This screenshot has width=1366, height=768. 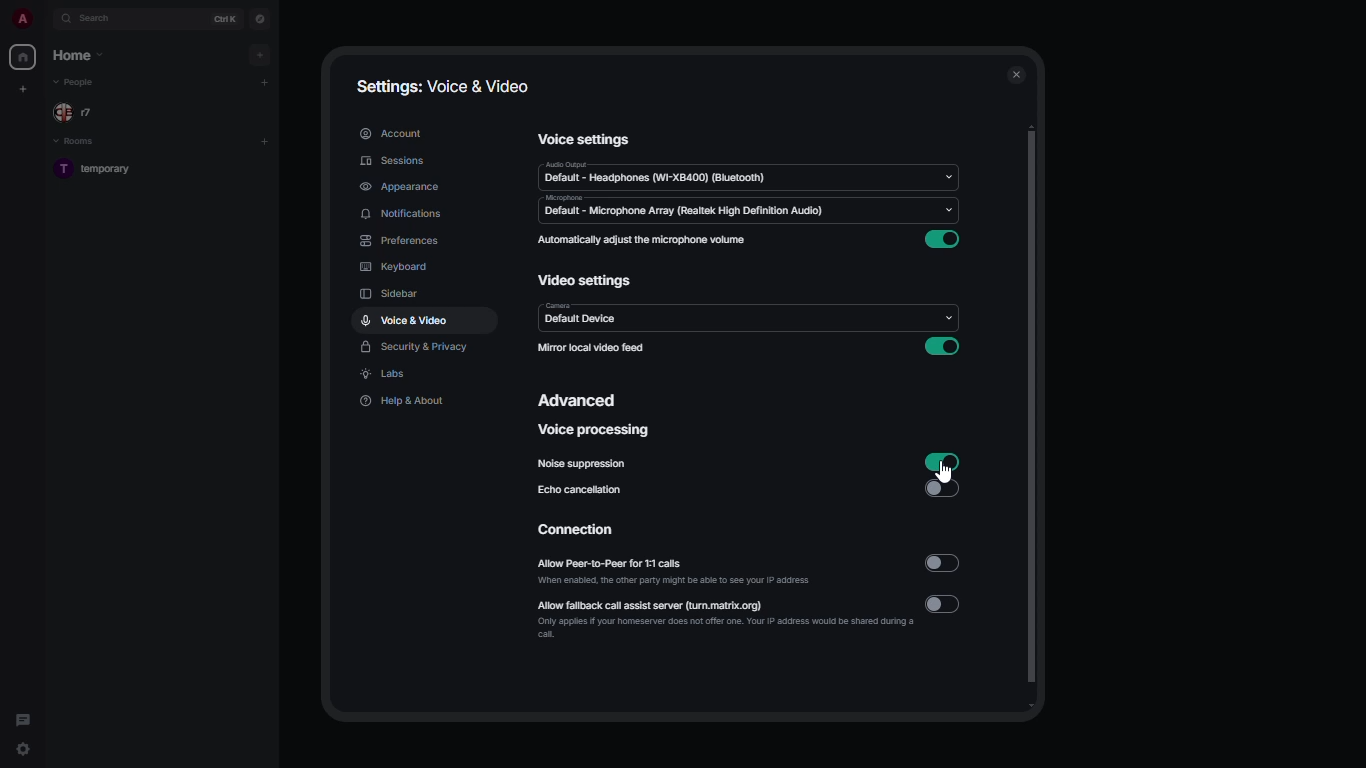 What do you see at coordinates (24, 18) in the screenshot?
I see `profile` at bounding box center [24, 18].